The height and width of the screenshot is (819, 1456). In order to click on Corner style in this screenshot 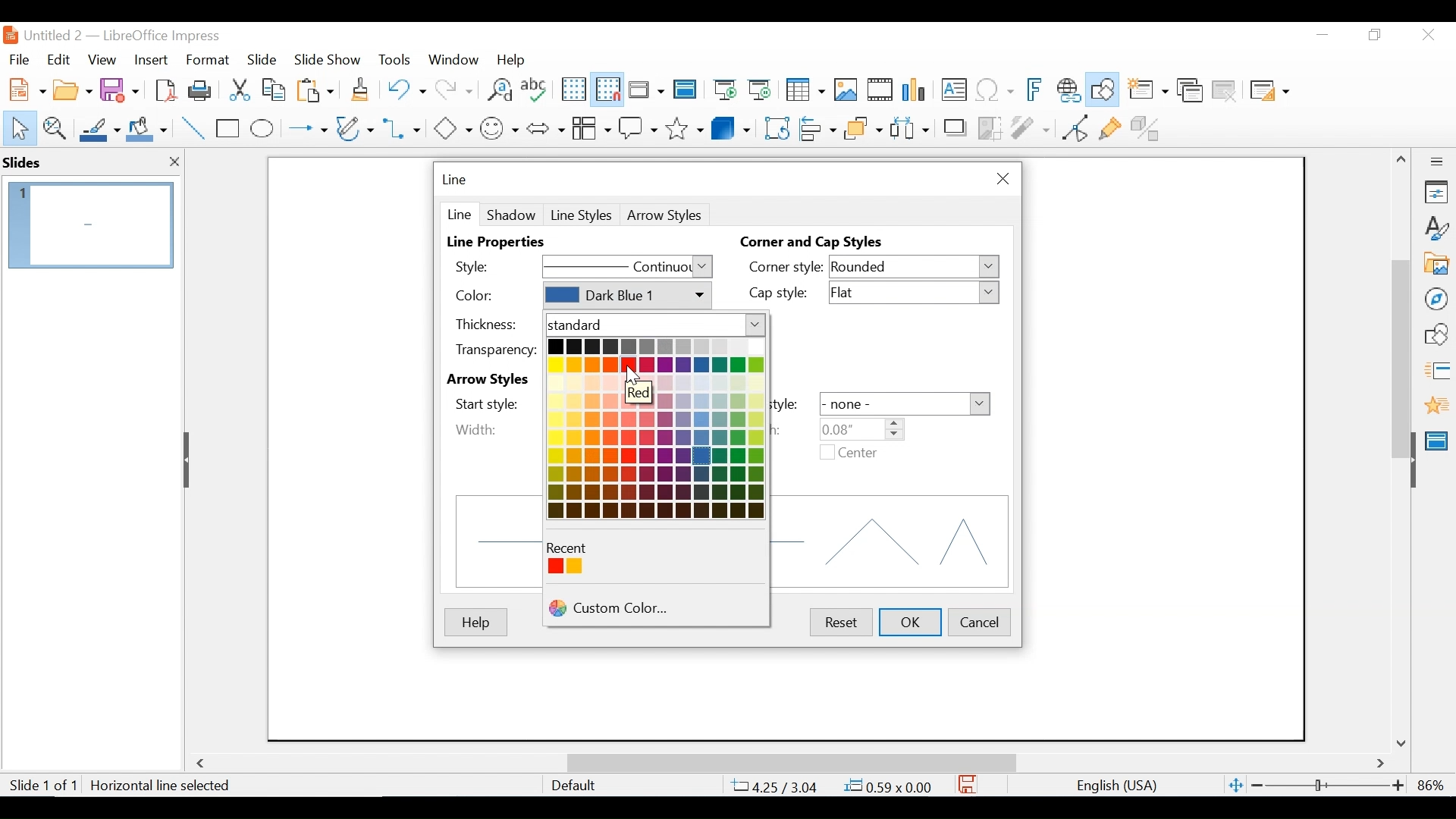, I will do `click(786, 266)`.